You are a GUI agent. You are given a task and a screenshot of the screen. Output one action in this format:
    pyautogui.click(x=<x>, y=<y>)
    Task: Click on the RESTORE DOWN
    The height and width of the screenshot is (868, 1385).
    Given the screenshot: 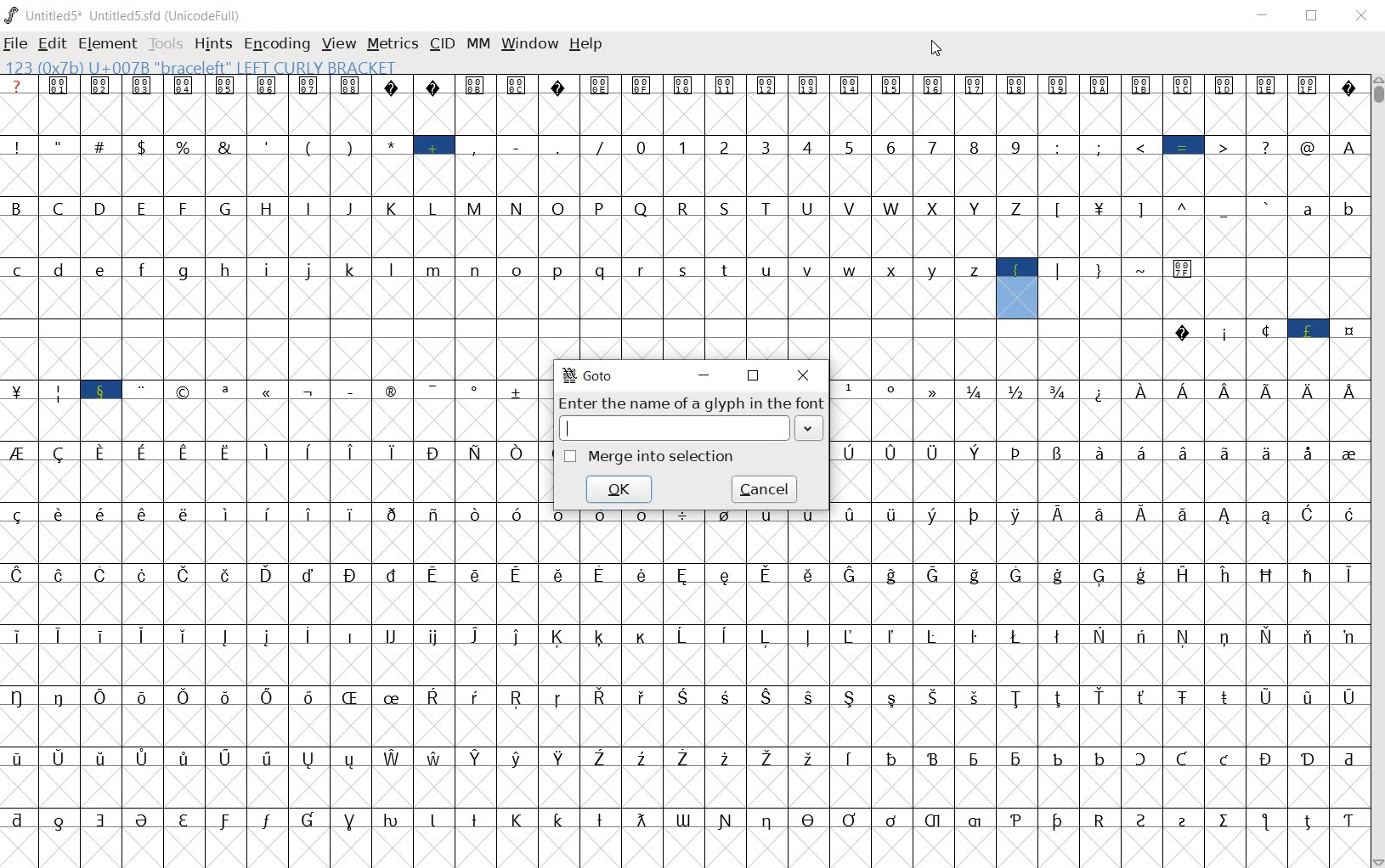 What is the action you would take?
    pyautogui.click(x=1315, y=17)
    